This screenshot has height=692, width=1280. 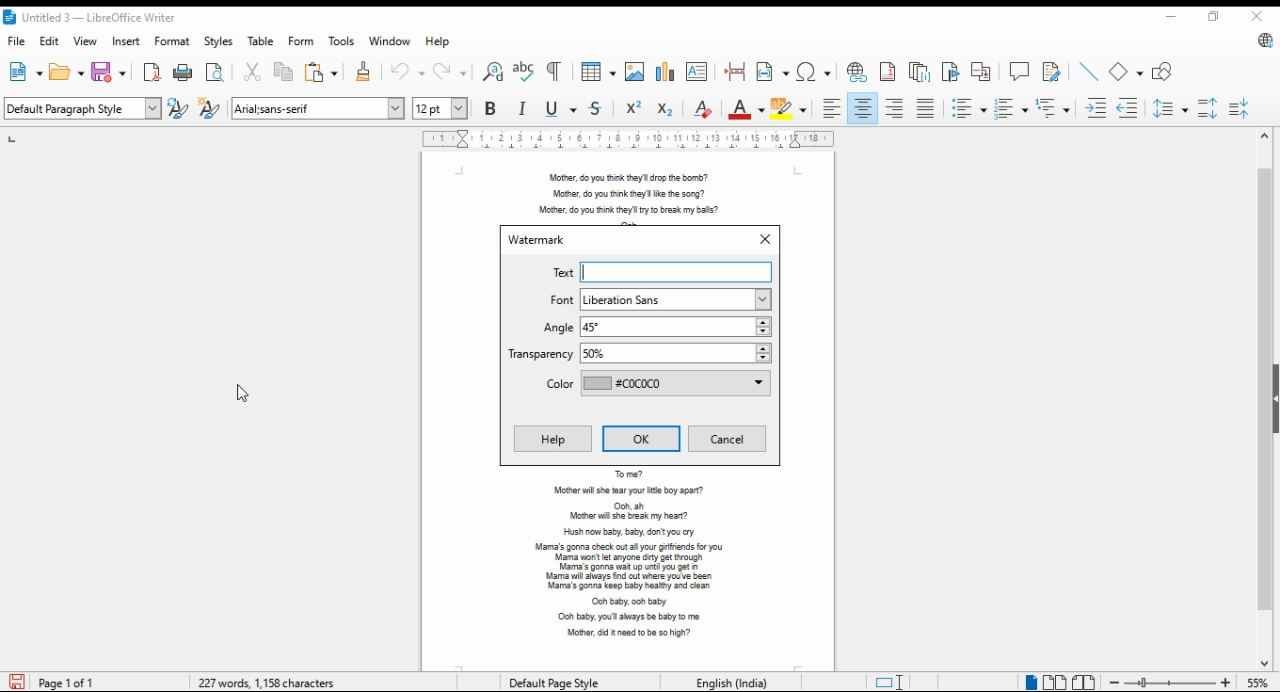 What do you see at coordinates (364, 72) in the screenshot?
I see `clone formatting` at bounding box center [364, 72].